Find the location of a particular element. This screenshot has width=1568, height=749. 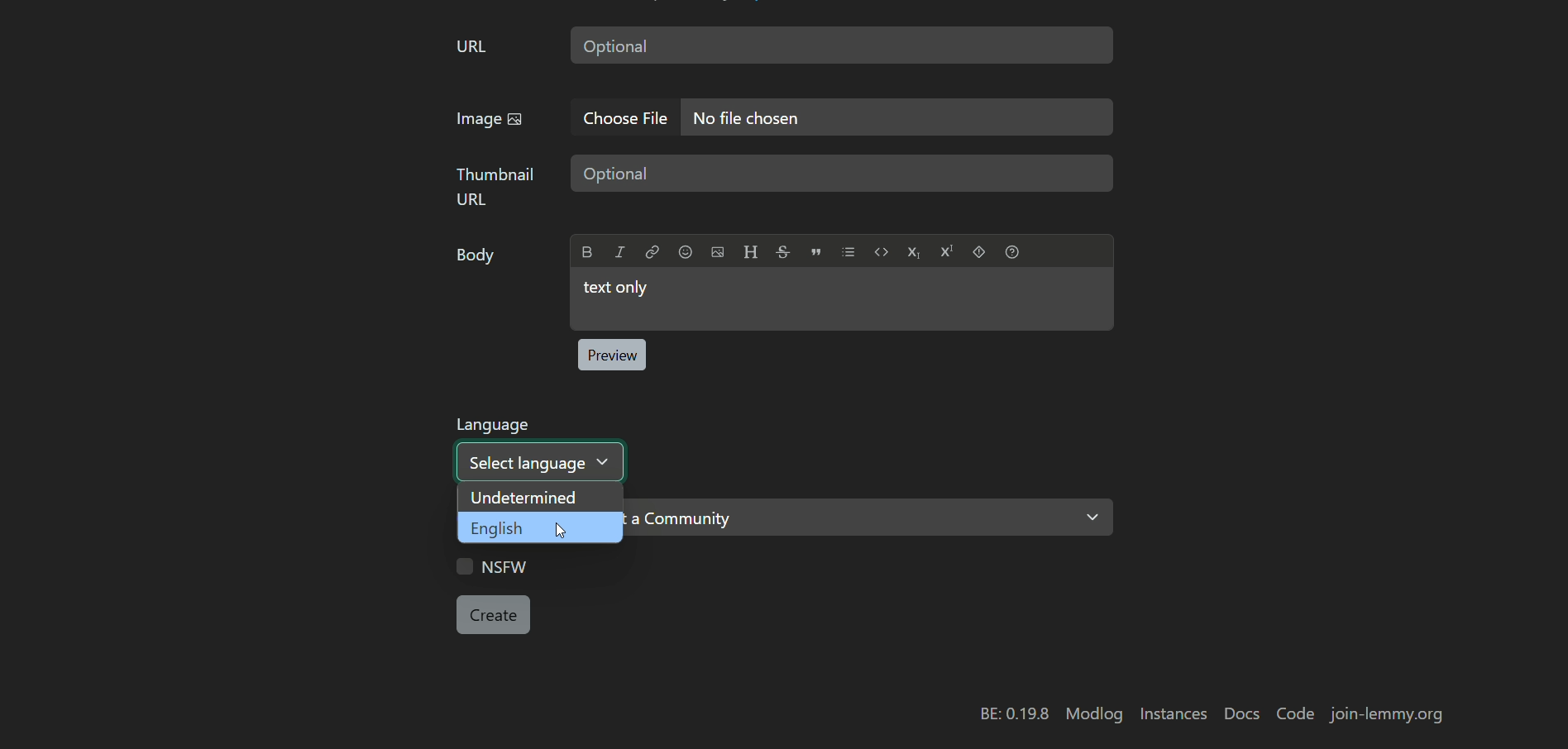

Code is located at coordinates (882, 251).